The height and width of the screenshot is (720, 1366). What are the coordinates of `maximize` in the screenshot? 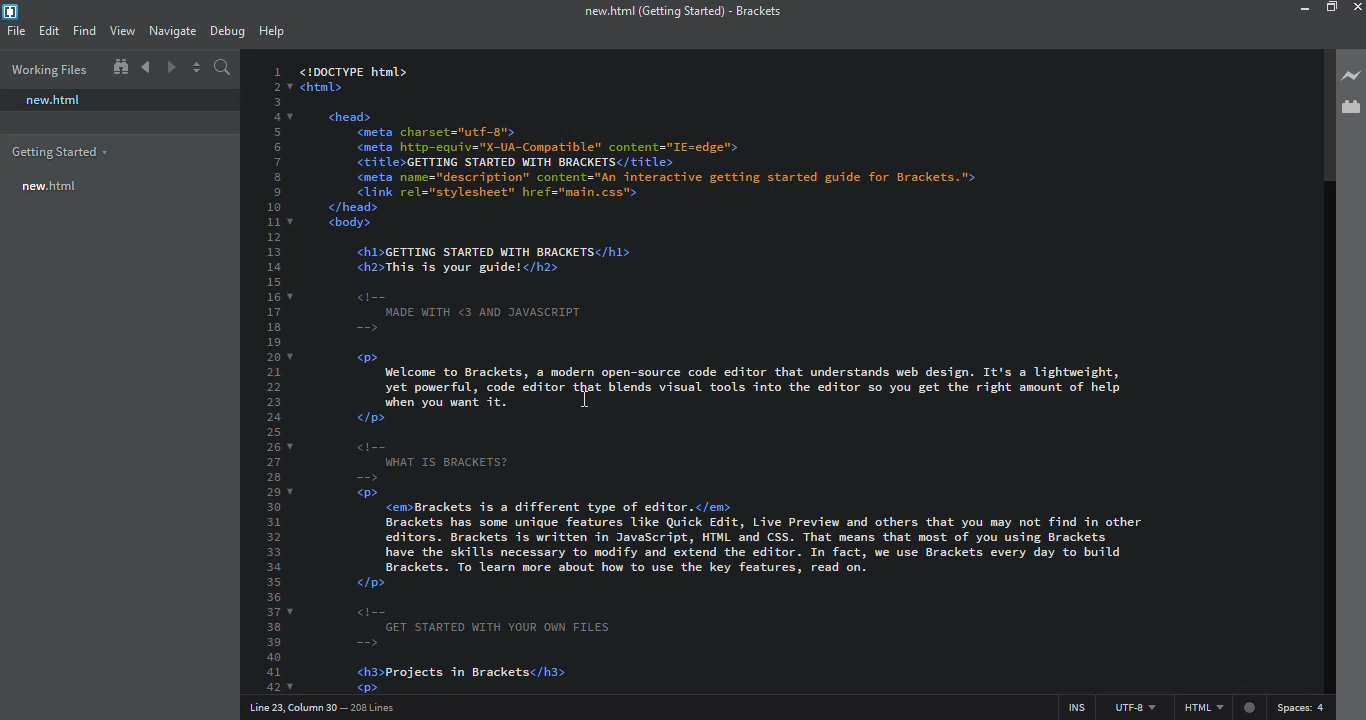 It's located at (1331, 7).